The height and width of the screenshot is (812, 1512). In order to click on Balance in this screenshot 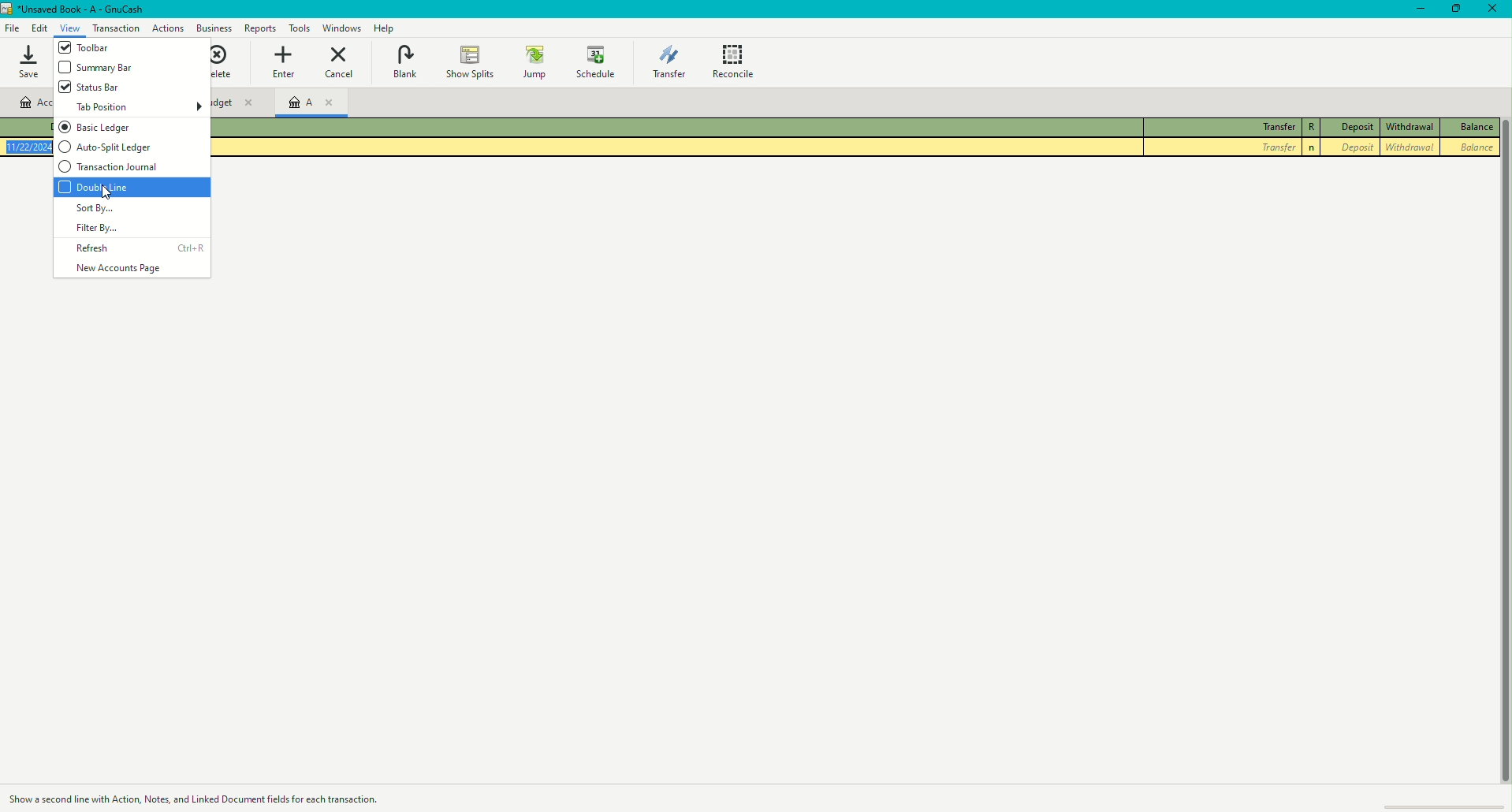, I will do `click(1471, 129)`.